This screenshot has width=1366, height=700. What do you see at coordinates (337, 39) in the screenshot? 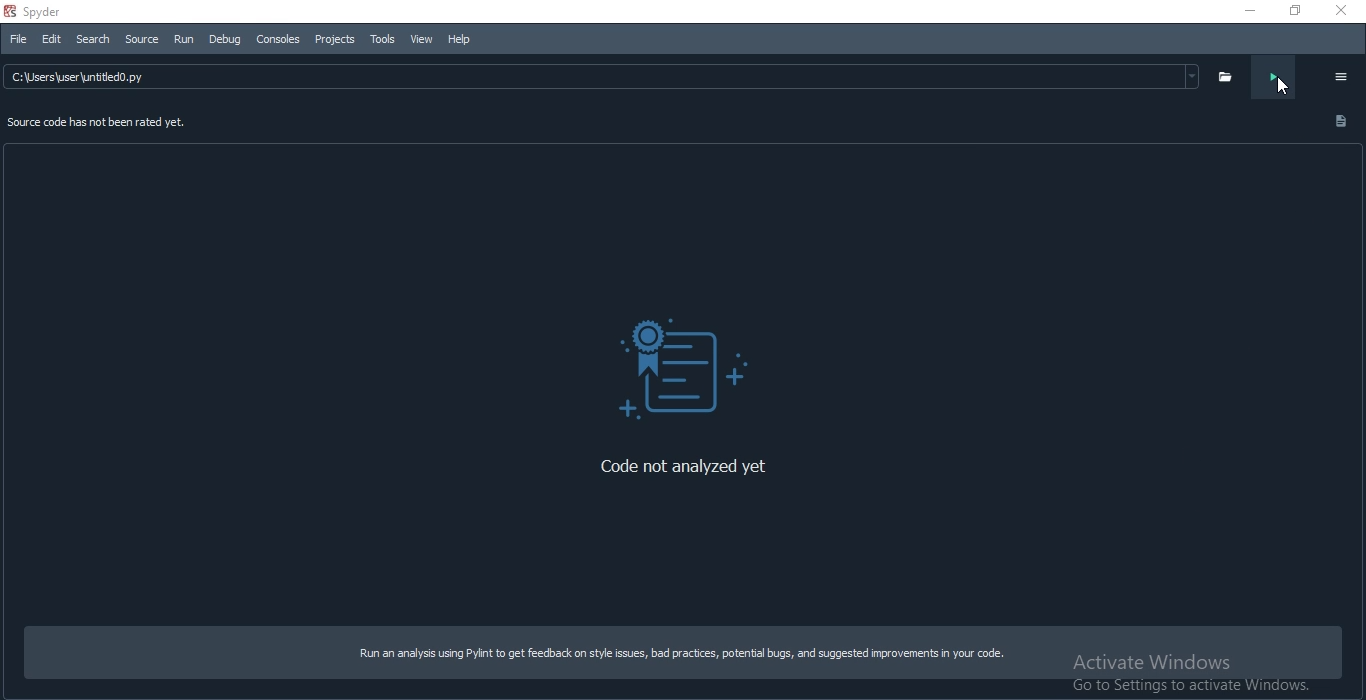
I see `projects` at bounding box center [337, 39].